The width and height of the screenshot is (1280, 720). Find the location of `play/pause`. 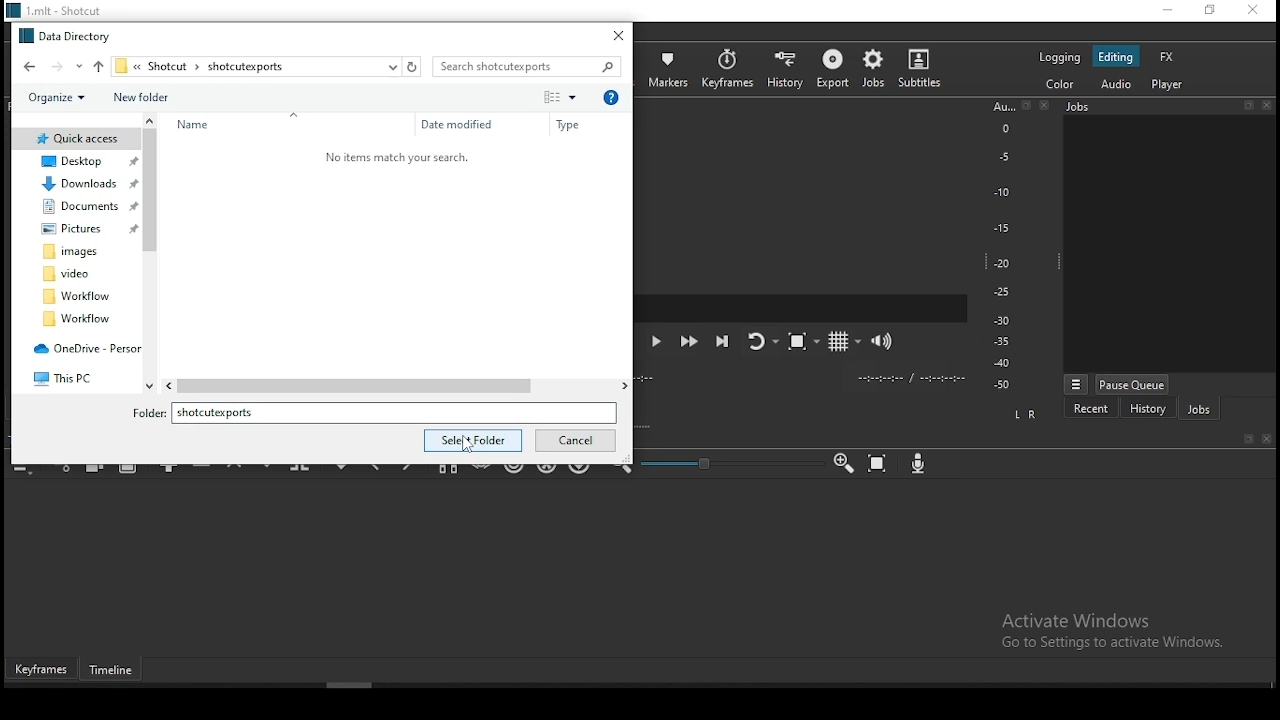

play/pause is located at coordinates (660, 345).